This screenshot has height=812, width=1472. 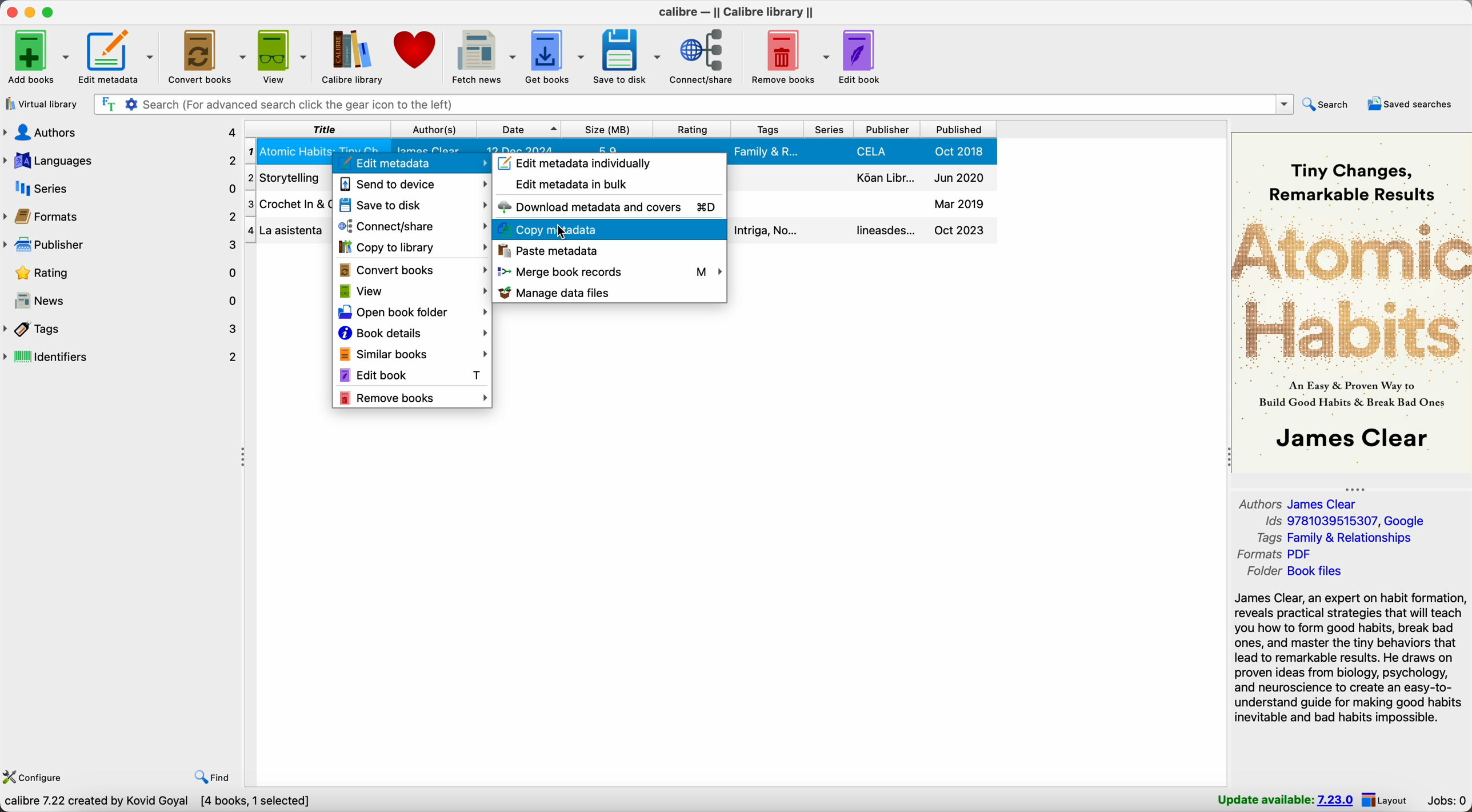 What do you see at coordinates (289, 230) in the screenshot?
I see `La asistenta book details` at bounding box center [289, 230].